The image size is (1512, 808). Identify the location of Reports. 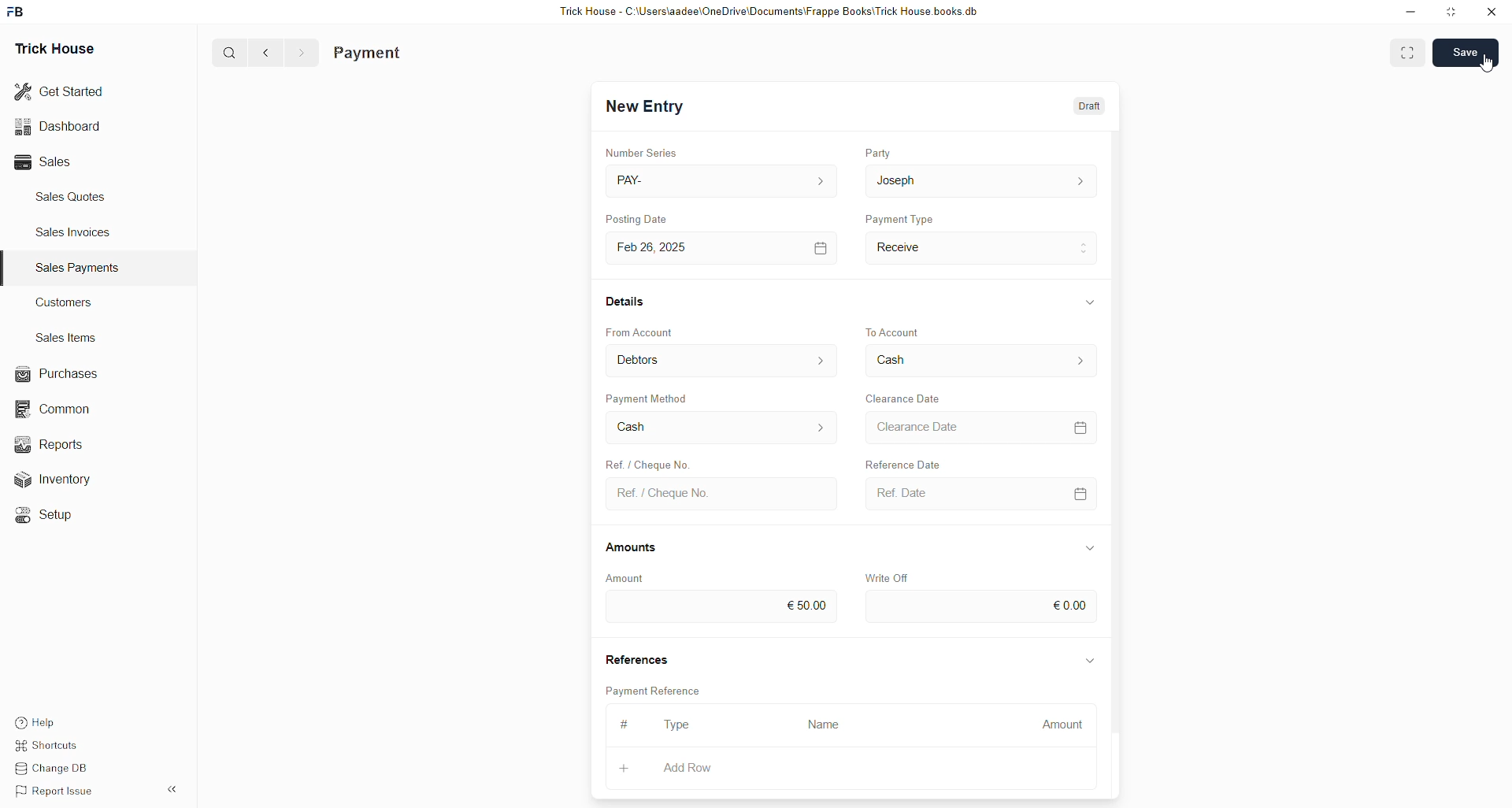
(59, 443).